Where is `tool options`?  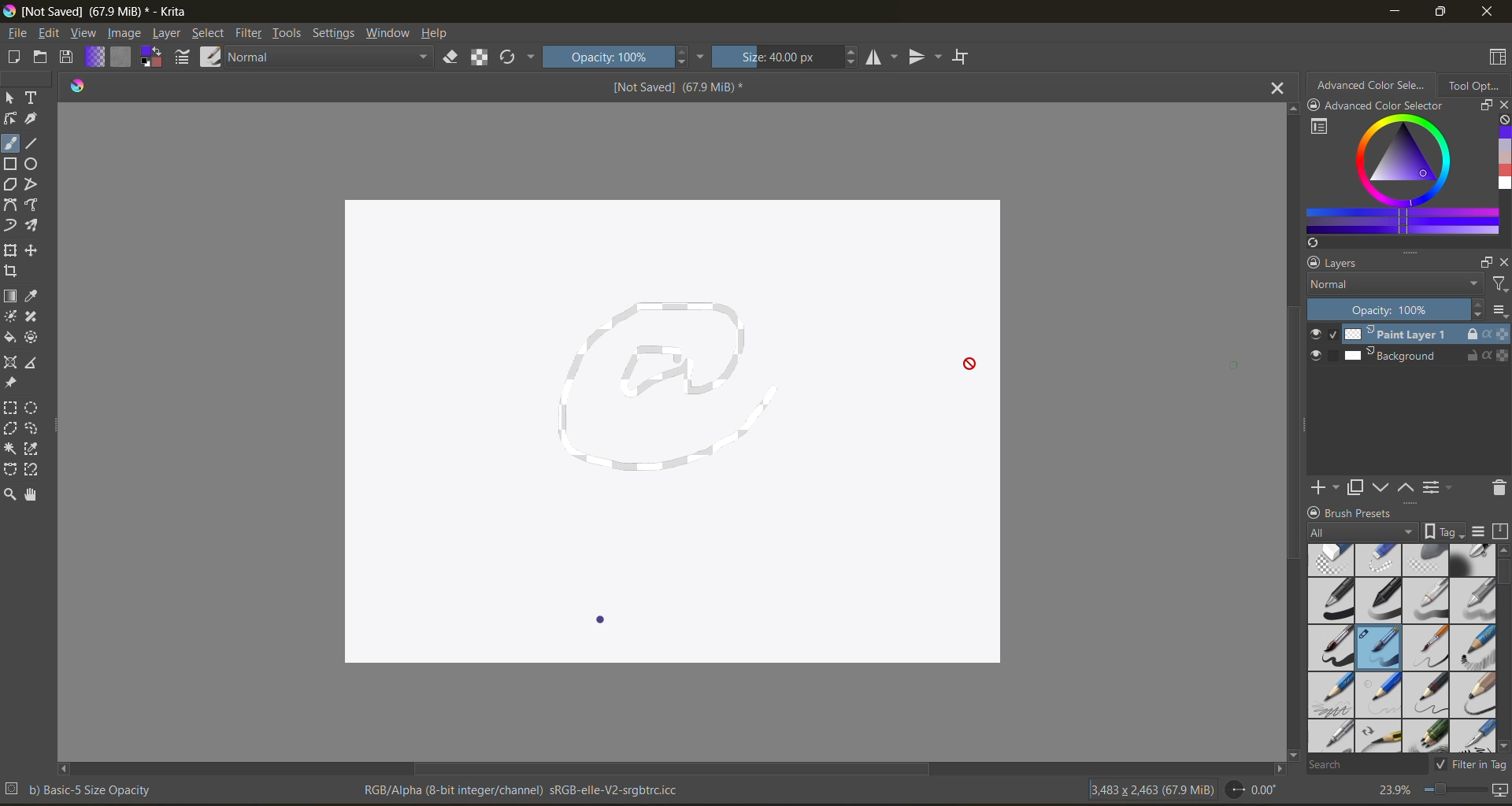 tool options is located at coordinates (1479, 85).